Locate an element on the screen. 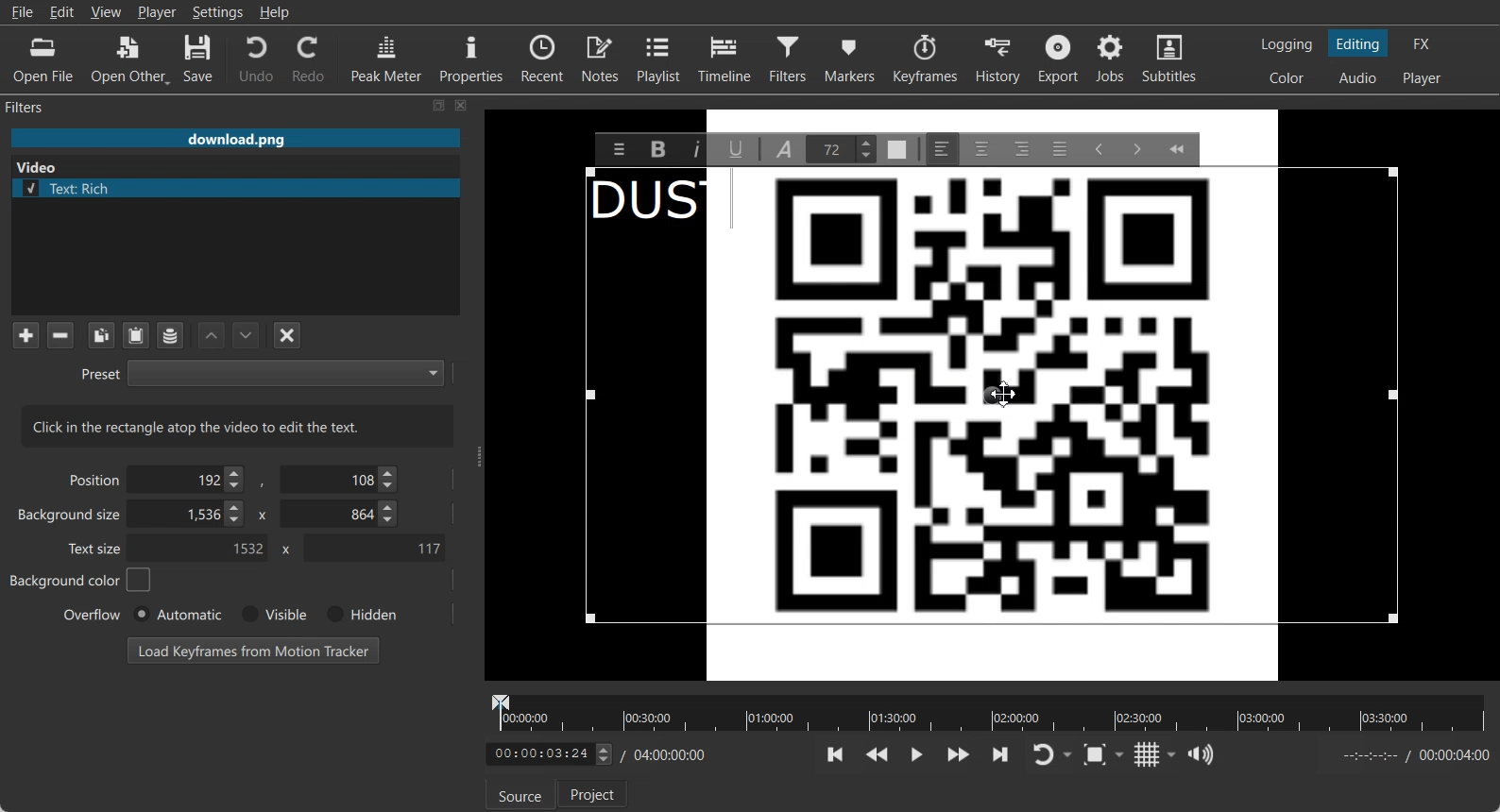 The width and height of the screenshot is (1500, 812). Properties is located at coordinates (471, 57).